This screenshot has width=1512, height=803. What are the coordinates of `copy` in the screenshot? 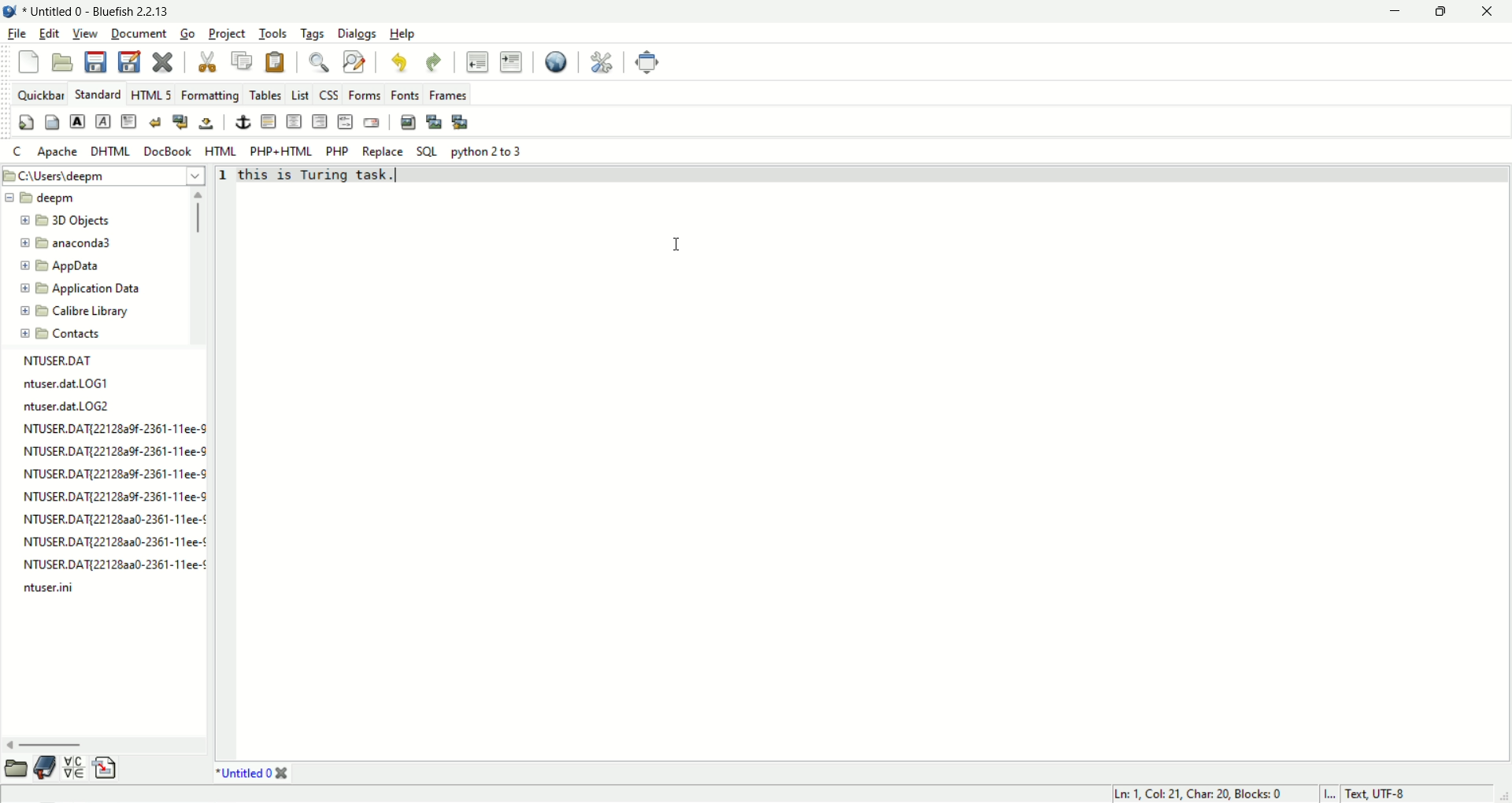 It's located at (242, 61).